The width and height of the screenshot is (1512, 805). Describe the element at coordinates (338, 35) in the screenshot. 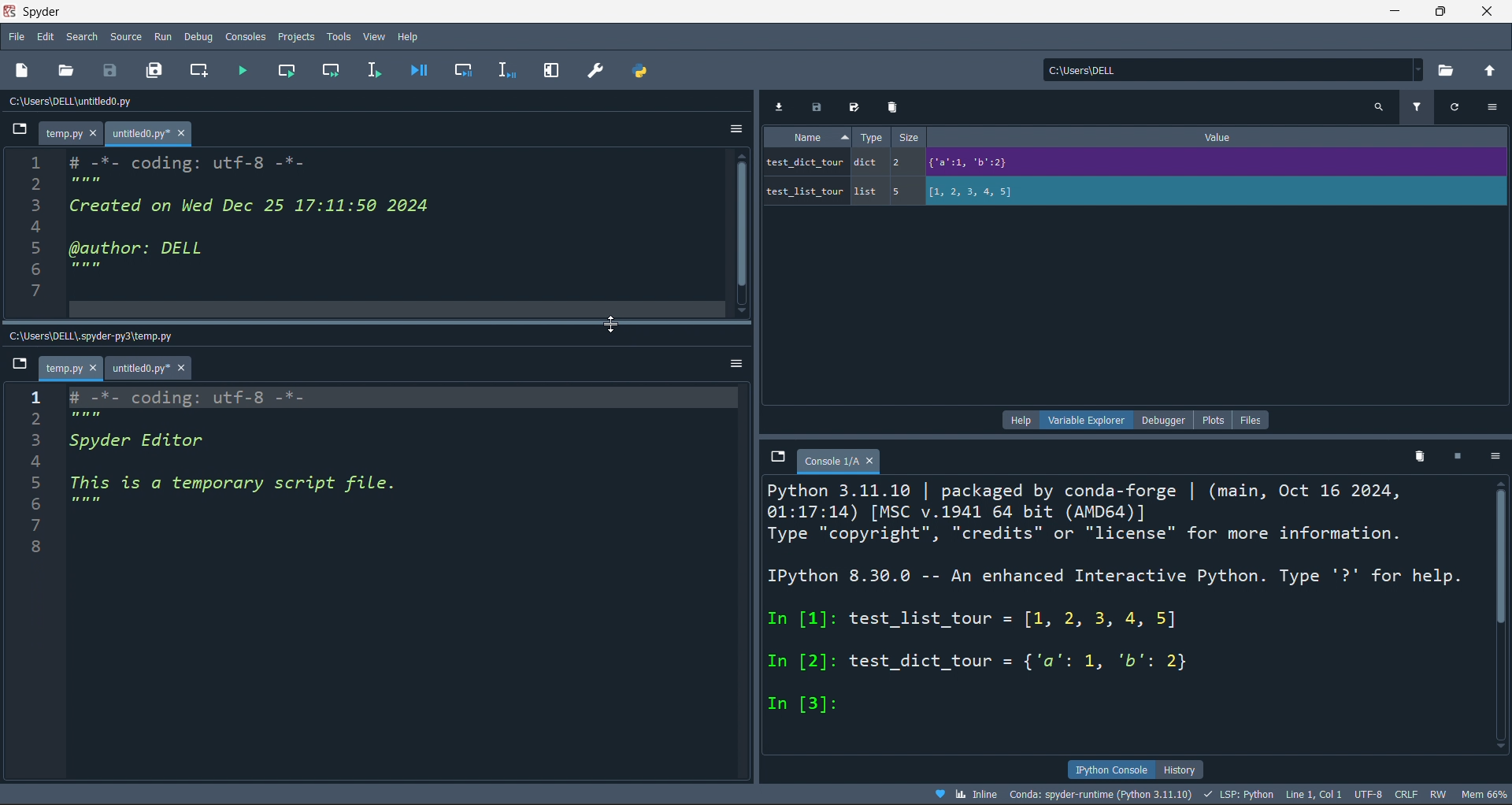

I see `tools` at that location.